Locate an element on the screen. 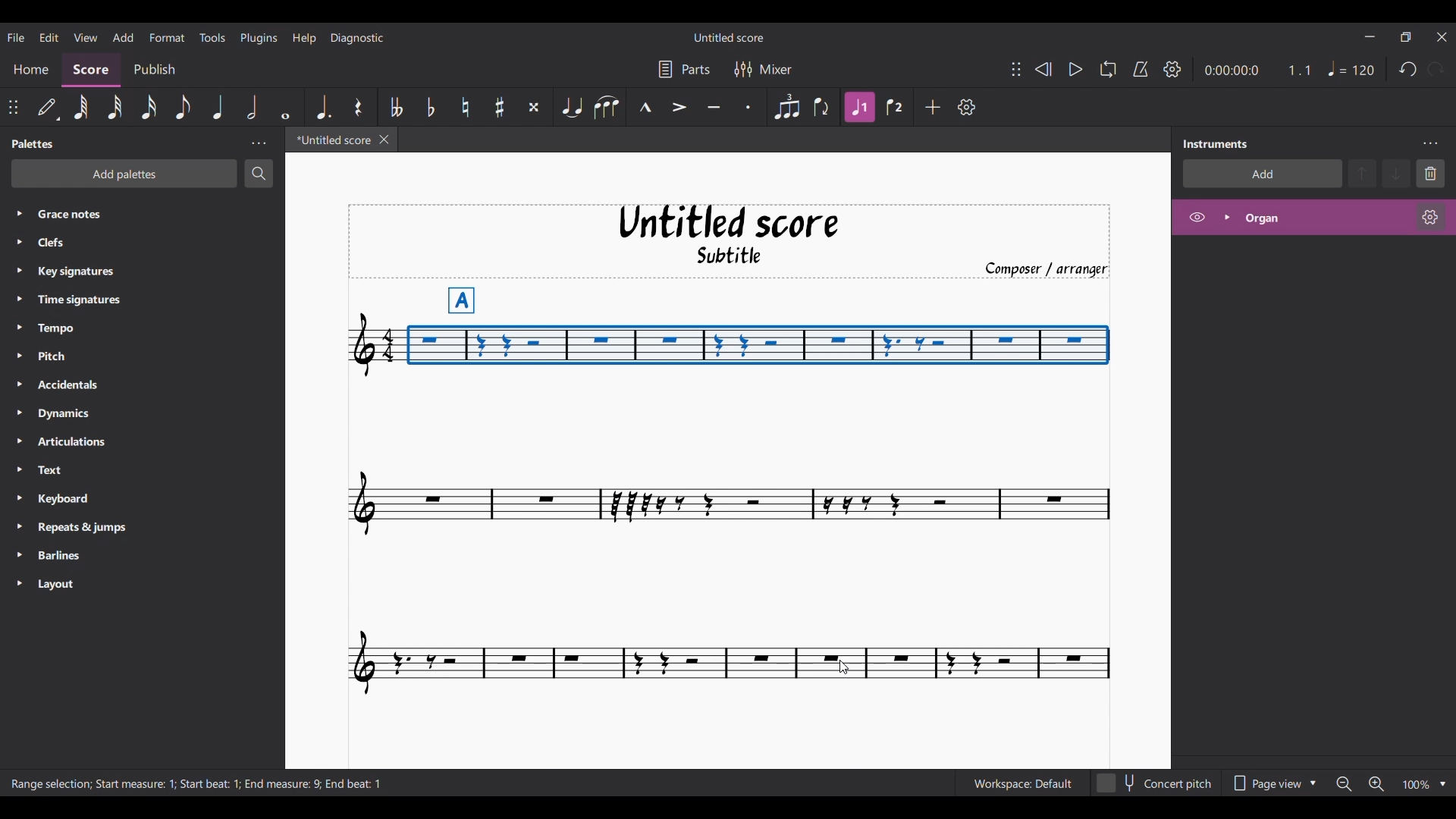  Dynamics is located at coordinates (90, 415).